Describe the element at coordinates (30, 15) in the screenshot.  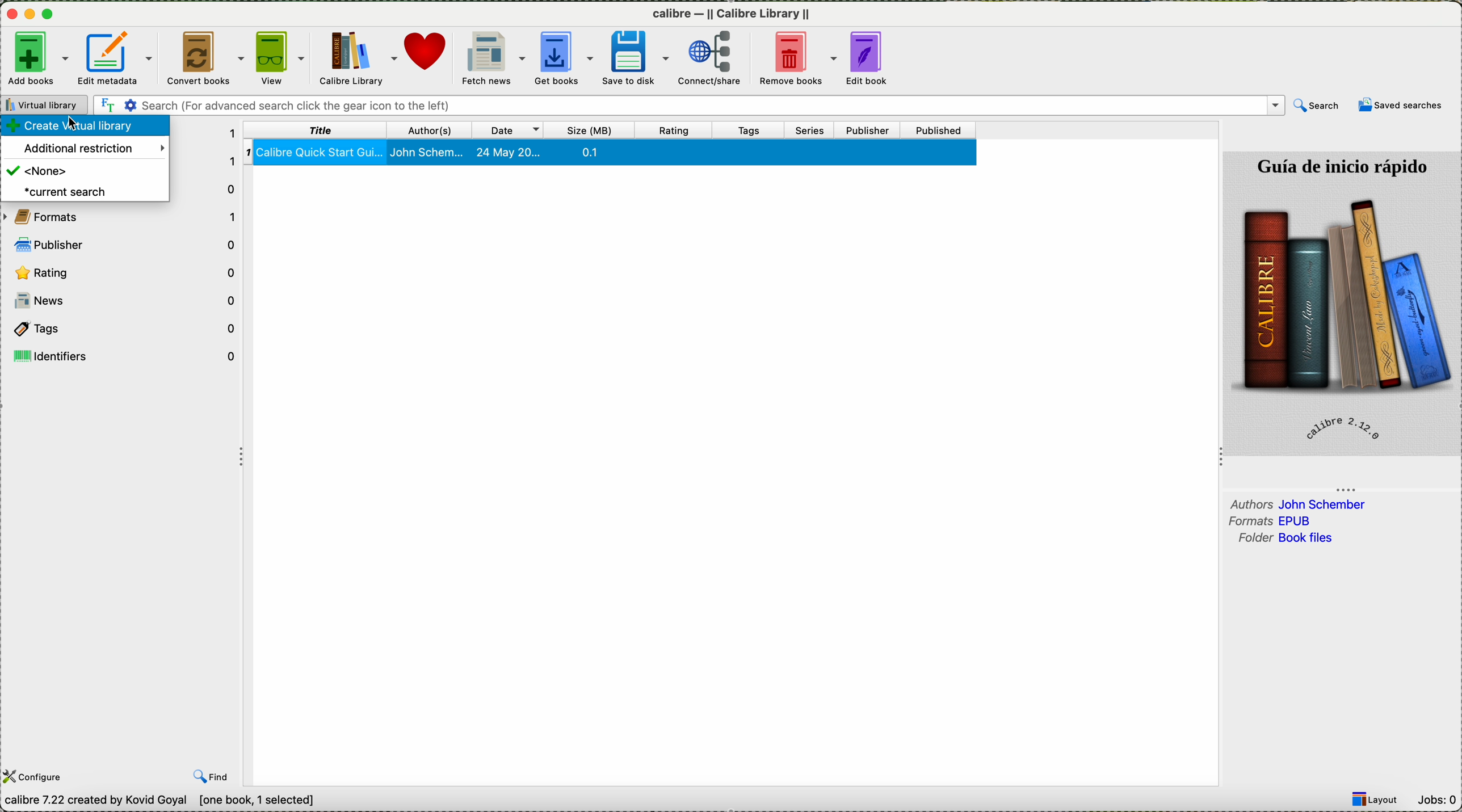
I see `minimize` at that location.